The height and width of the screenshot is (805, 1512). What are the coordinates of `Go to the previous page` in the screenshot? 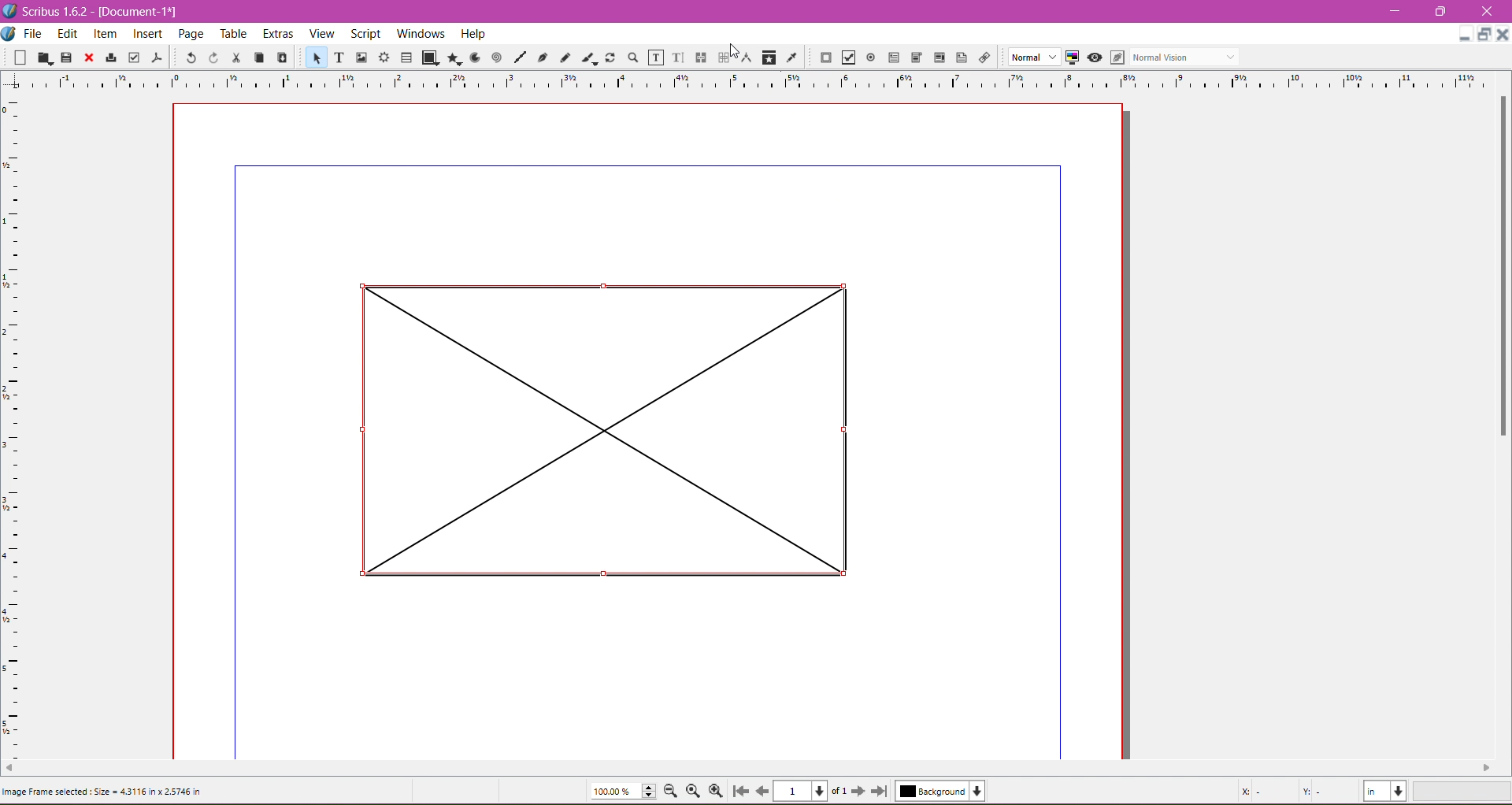 It's located at (762, 791).